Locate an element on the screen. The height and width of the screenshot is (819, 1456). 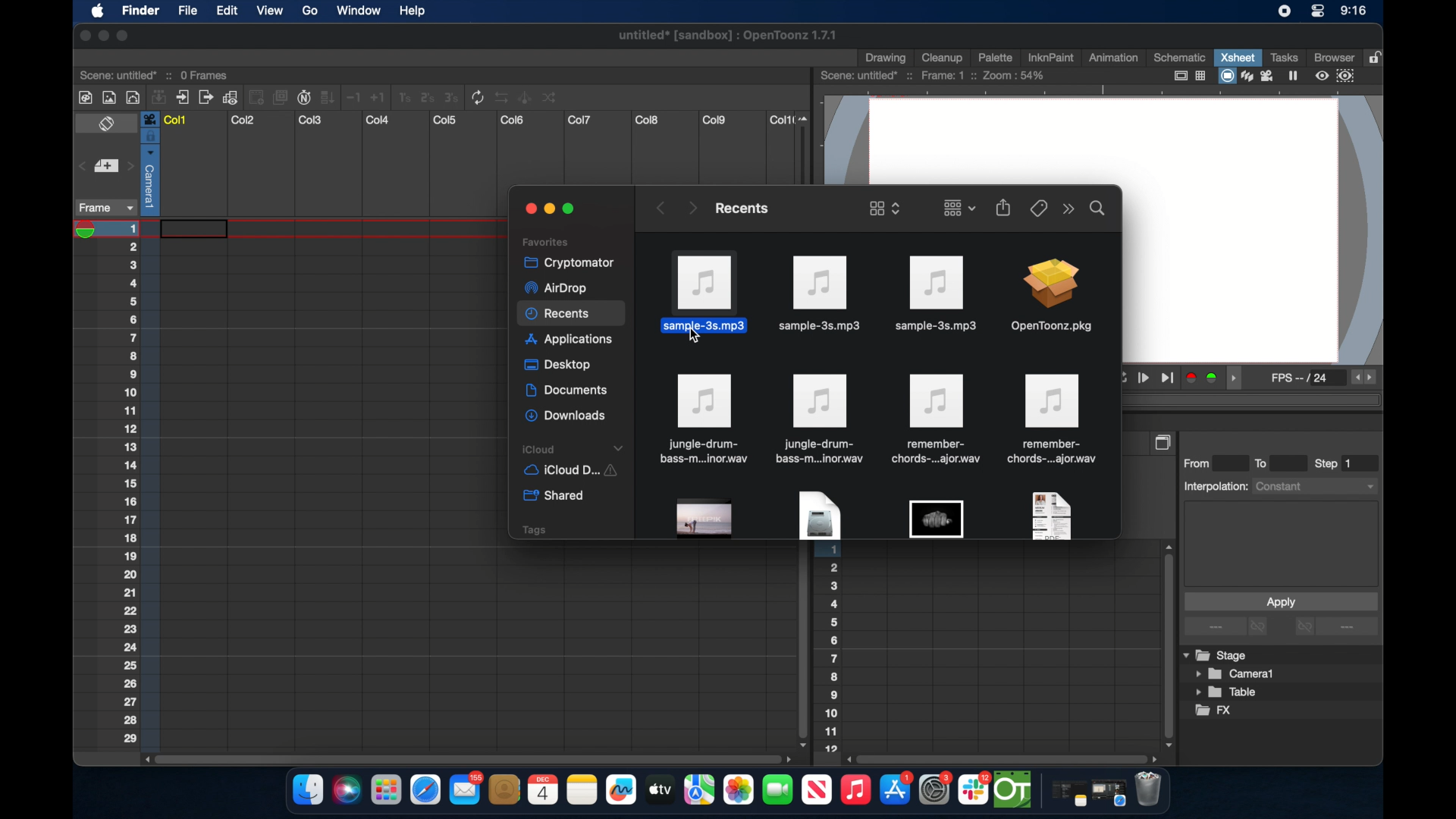
appleicon is located at coordinates (97, 12).